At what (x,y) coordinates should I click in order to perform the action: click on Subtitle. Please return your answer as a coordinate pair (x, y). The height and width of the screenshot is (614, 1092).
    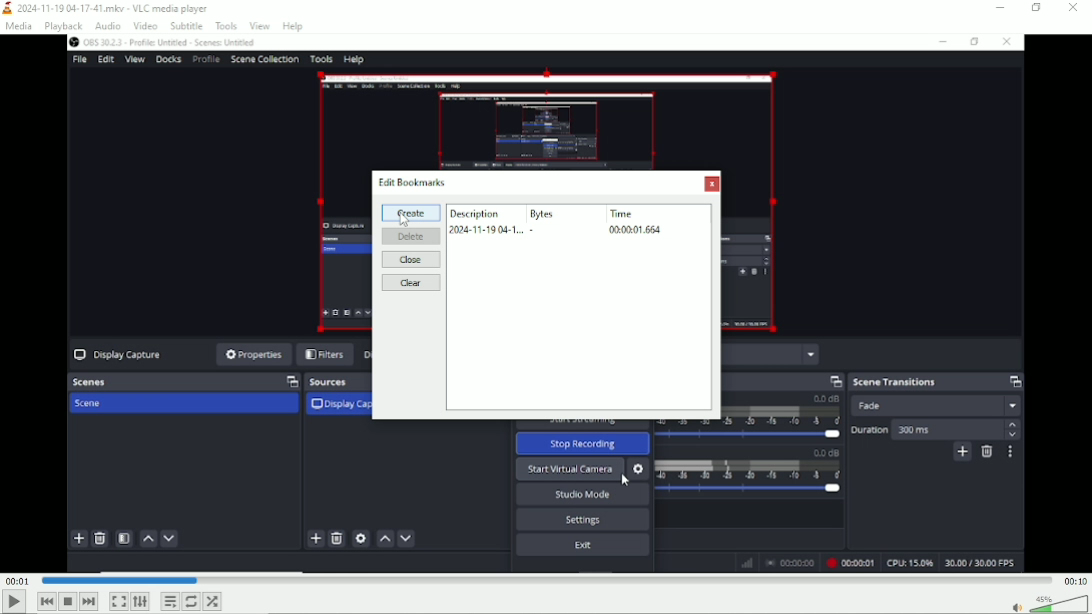
    Looking at the image, I should click on (186, 26).